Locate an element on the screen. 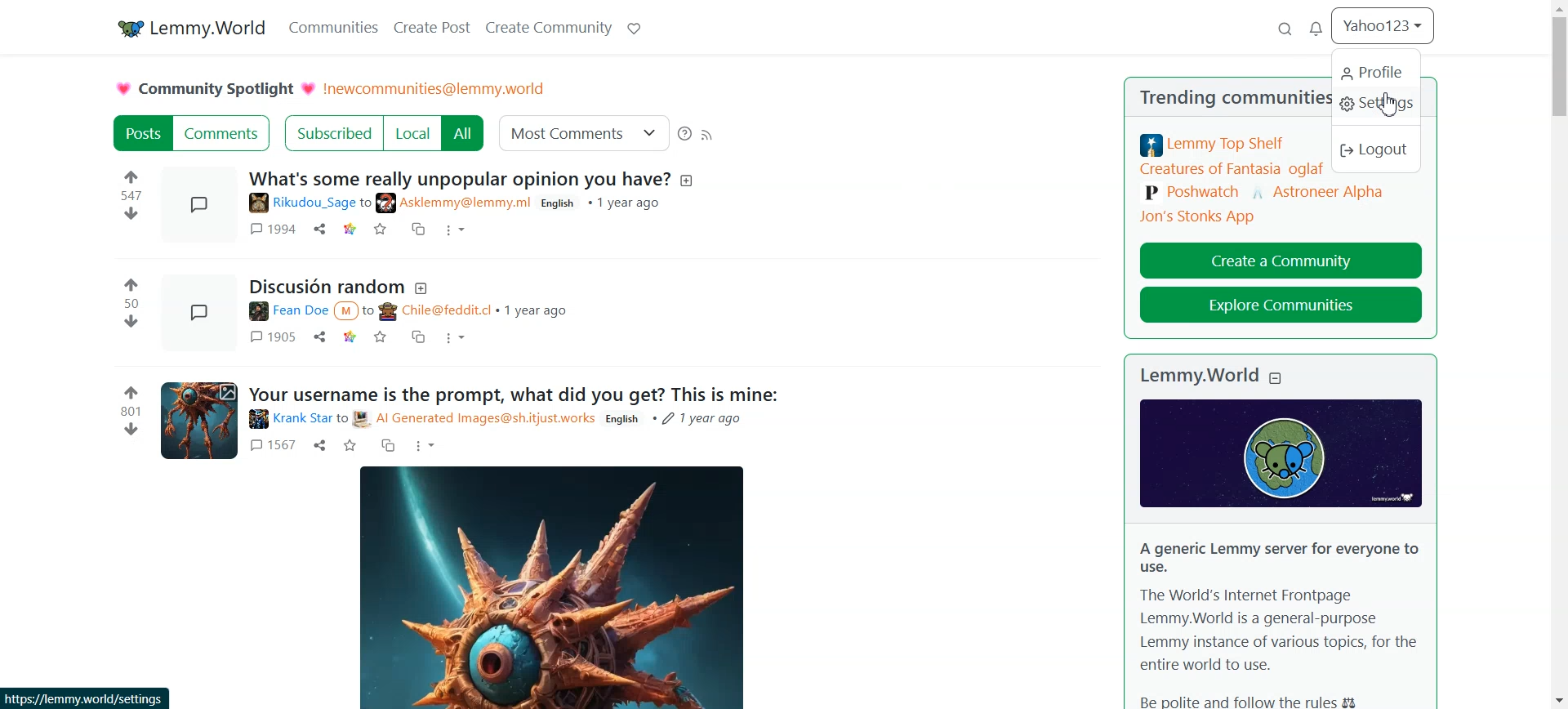 Image resolution: width=1568 pixels, height=709 pixels. Communities is located at coordinates (332, 26).